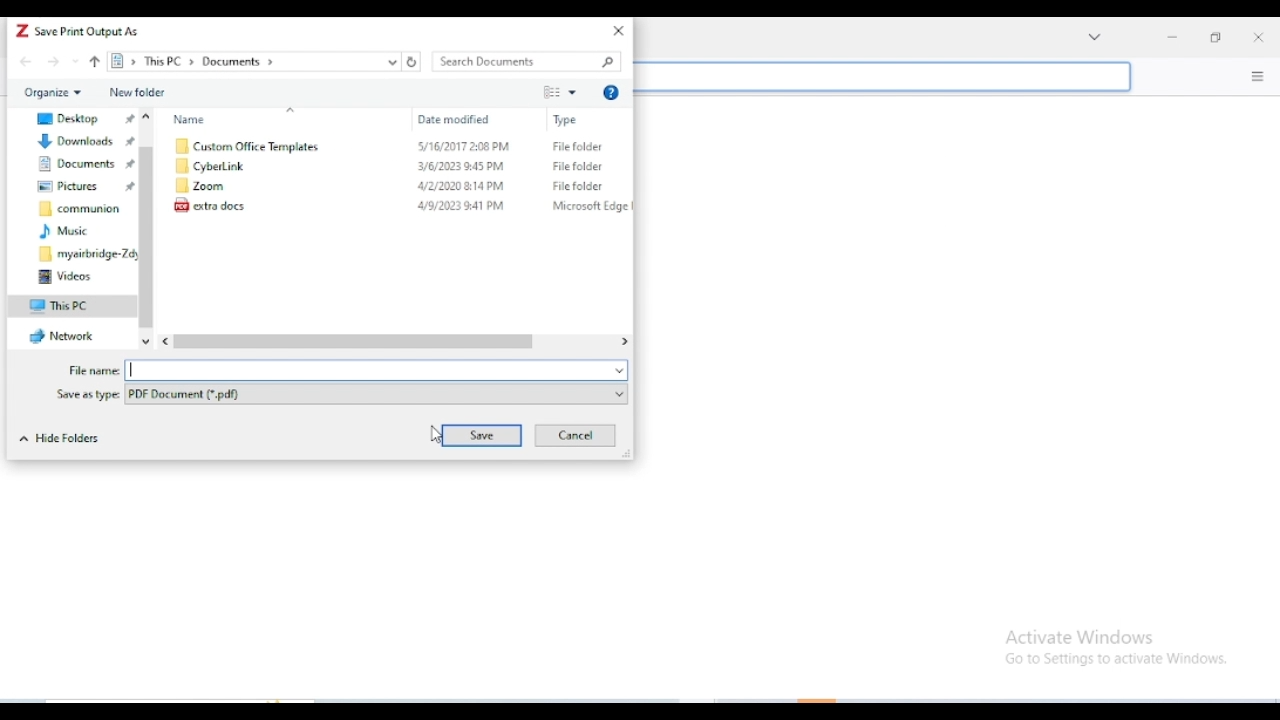  What do you see at coordinates (378, 395) in the screenshot?
I see `PDF Document (*.pdf)` at bounding box center [378, 395].